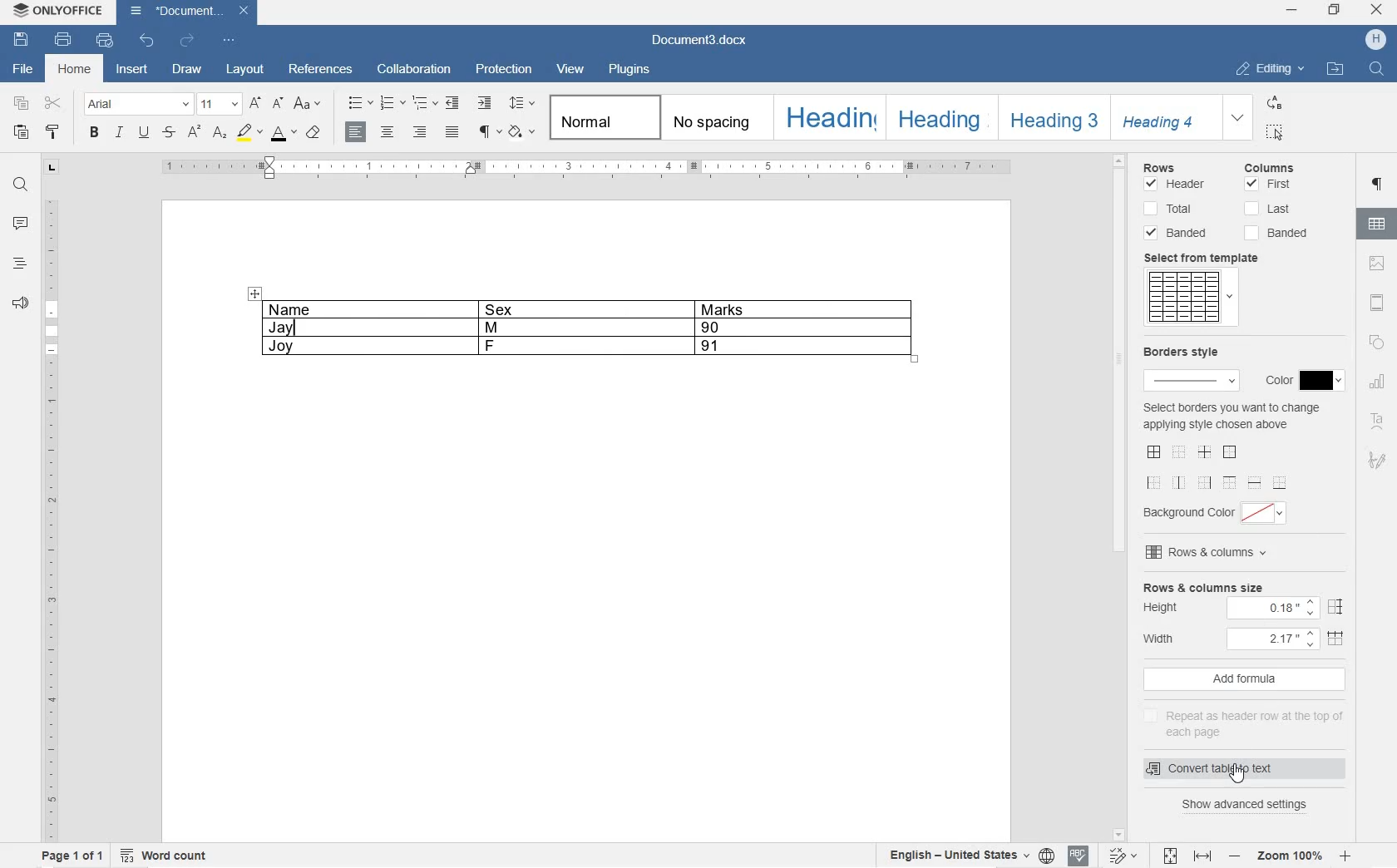  I want to click on Templates, so click(1190, 297).